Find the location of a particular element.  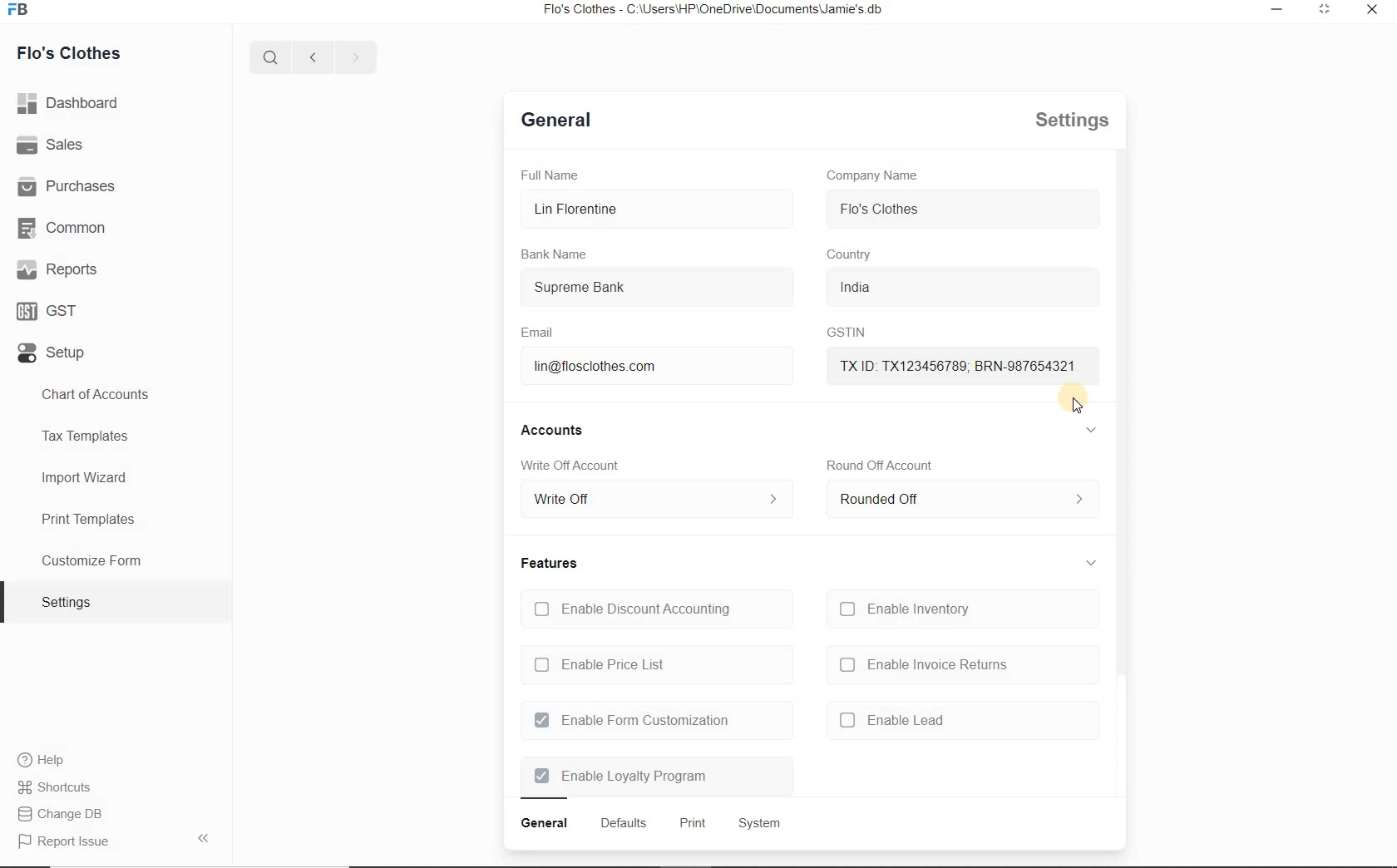

accounts is located at coordinates (558, 430).